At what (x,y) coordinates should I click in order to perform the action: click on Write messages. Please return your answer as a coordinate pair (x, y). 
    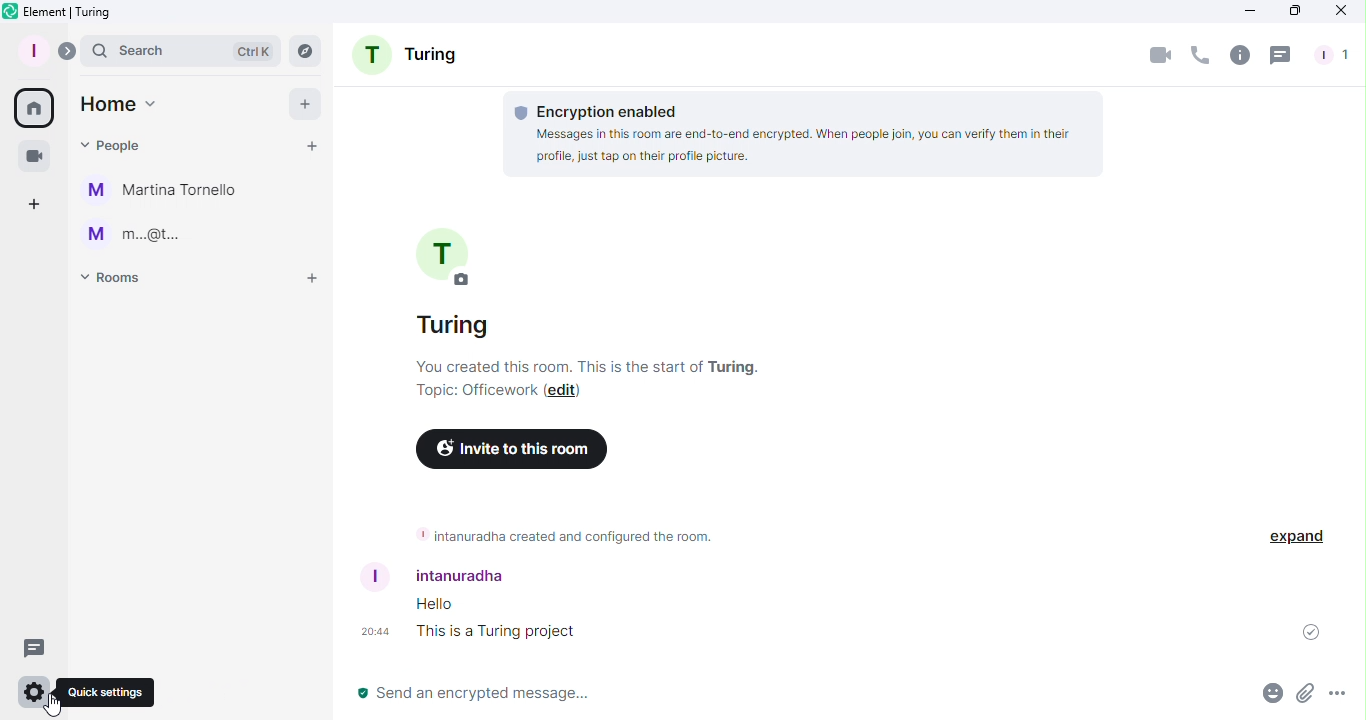
    Looking at the image, I should click on (755, 696).